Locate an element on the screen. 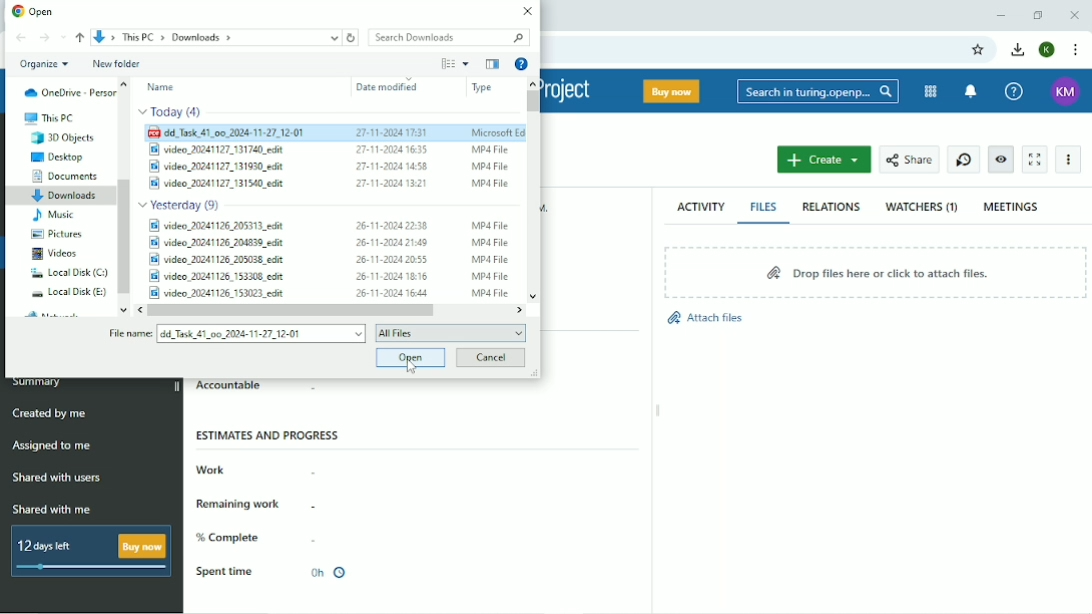 This screenshot has width=1092, height=614. Horizontal scrollbar is located at coordinates (290, 310).